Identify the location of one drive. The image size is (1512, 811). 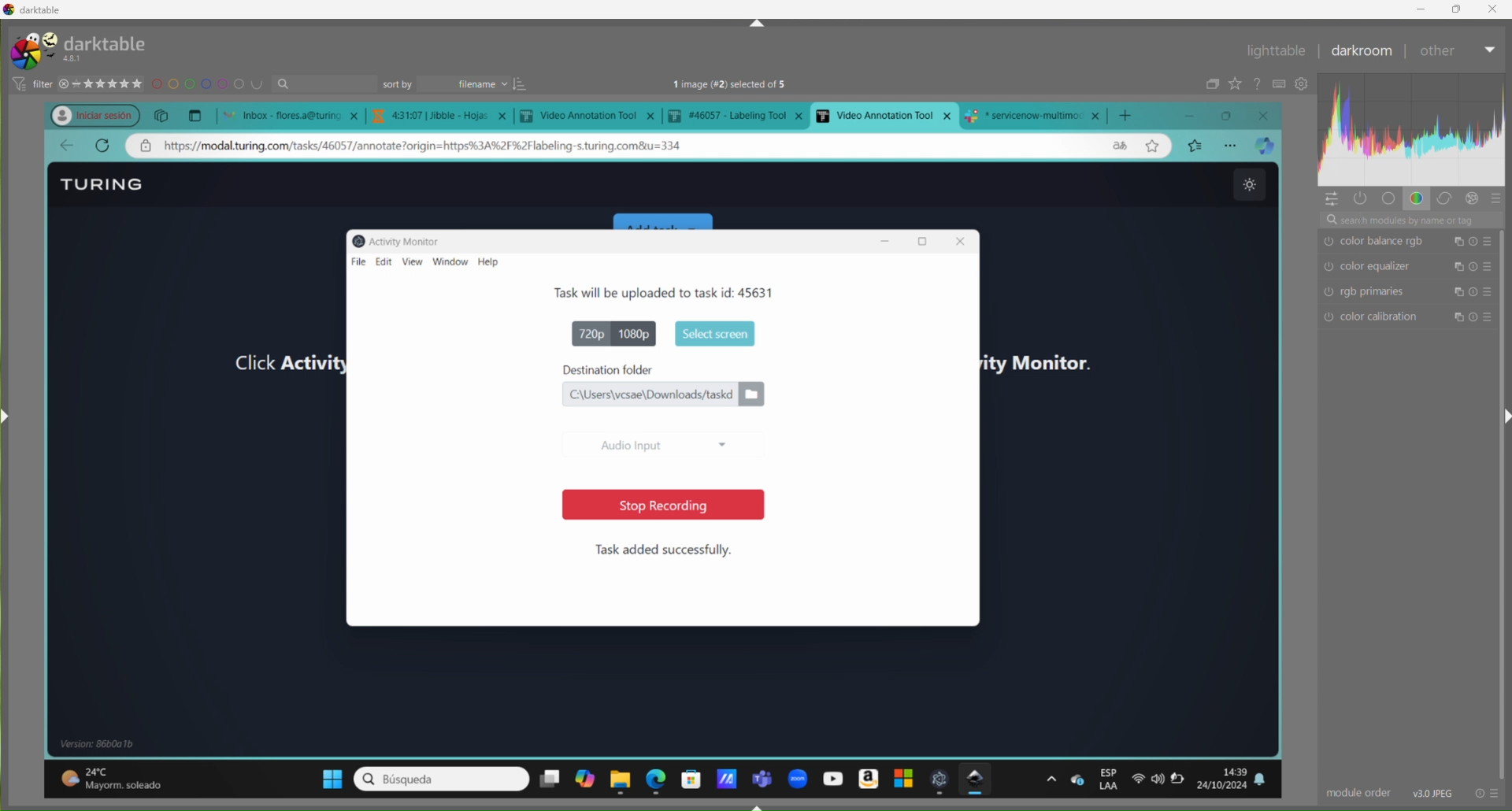
(1077, 780).